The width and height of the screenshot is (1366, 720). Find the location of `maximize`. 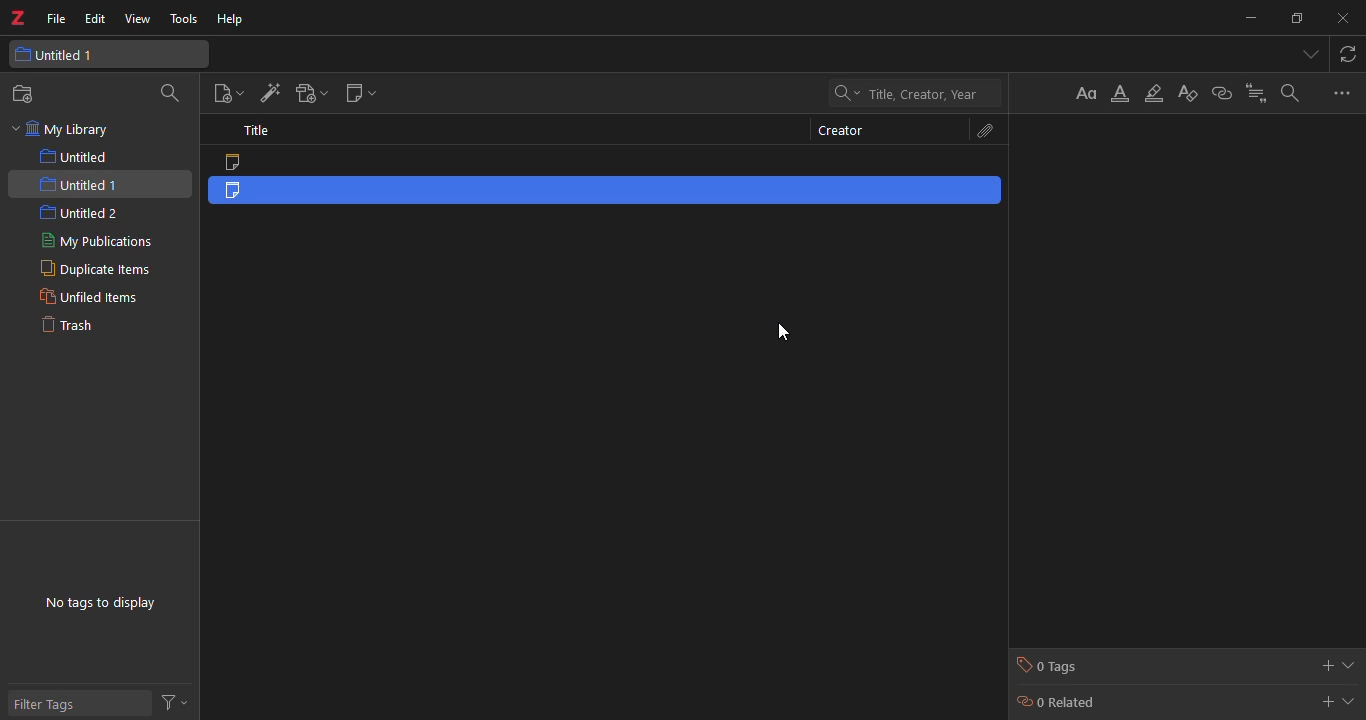

maximize is located at coordinates (1294, 18).